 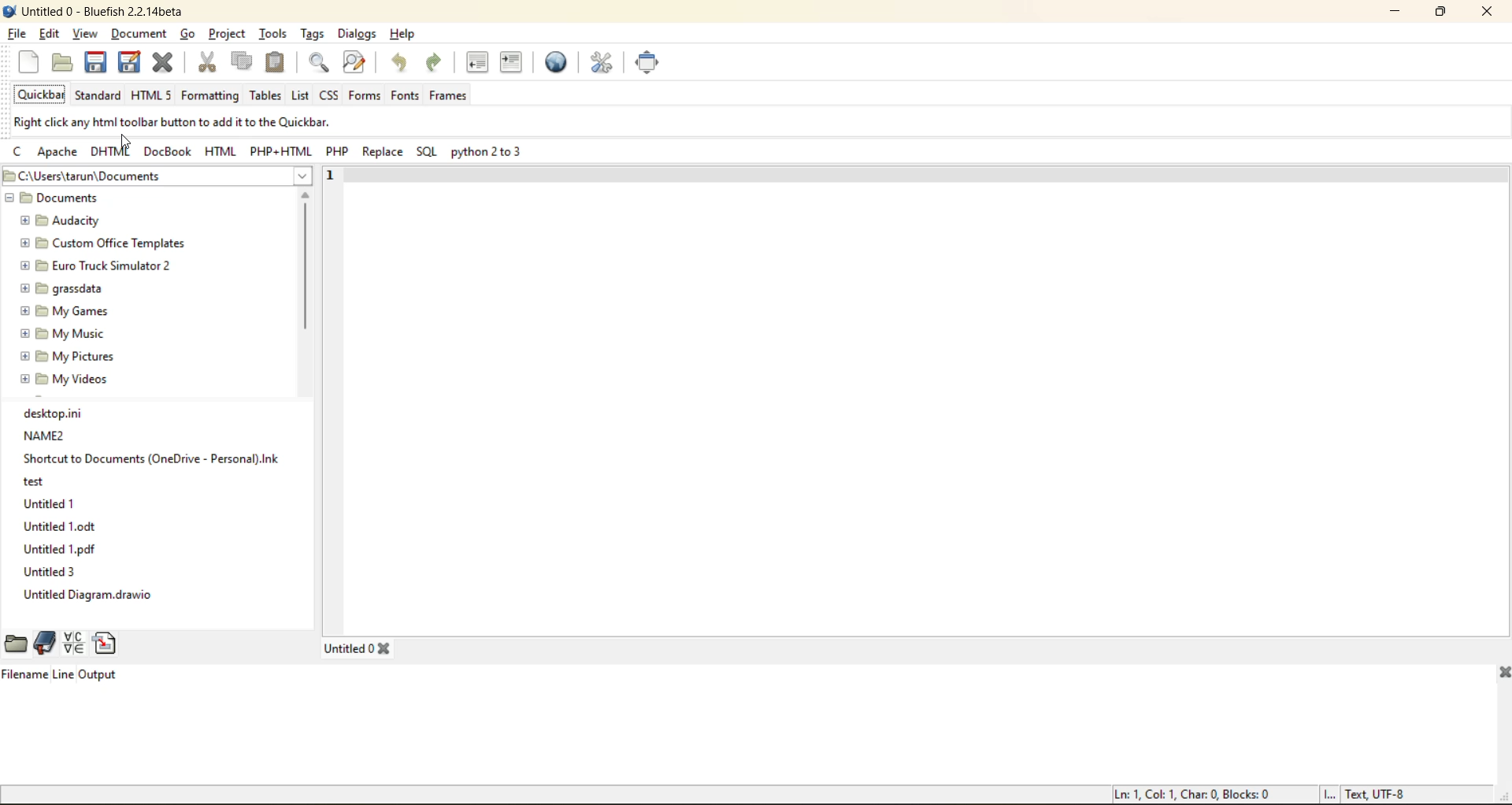 I want to click on edit, so click(x=51, y=34).